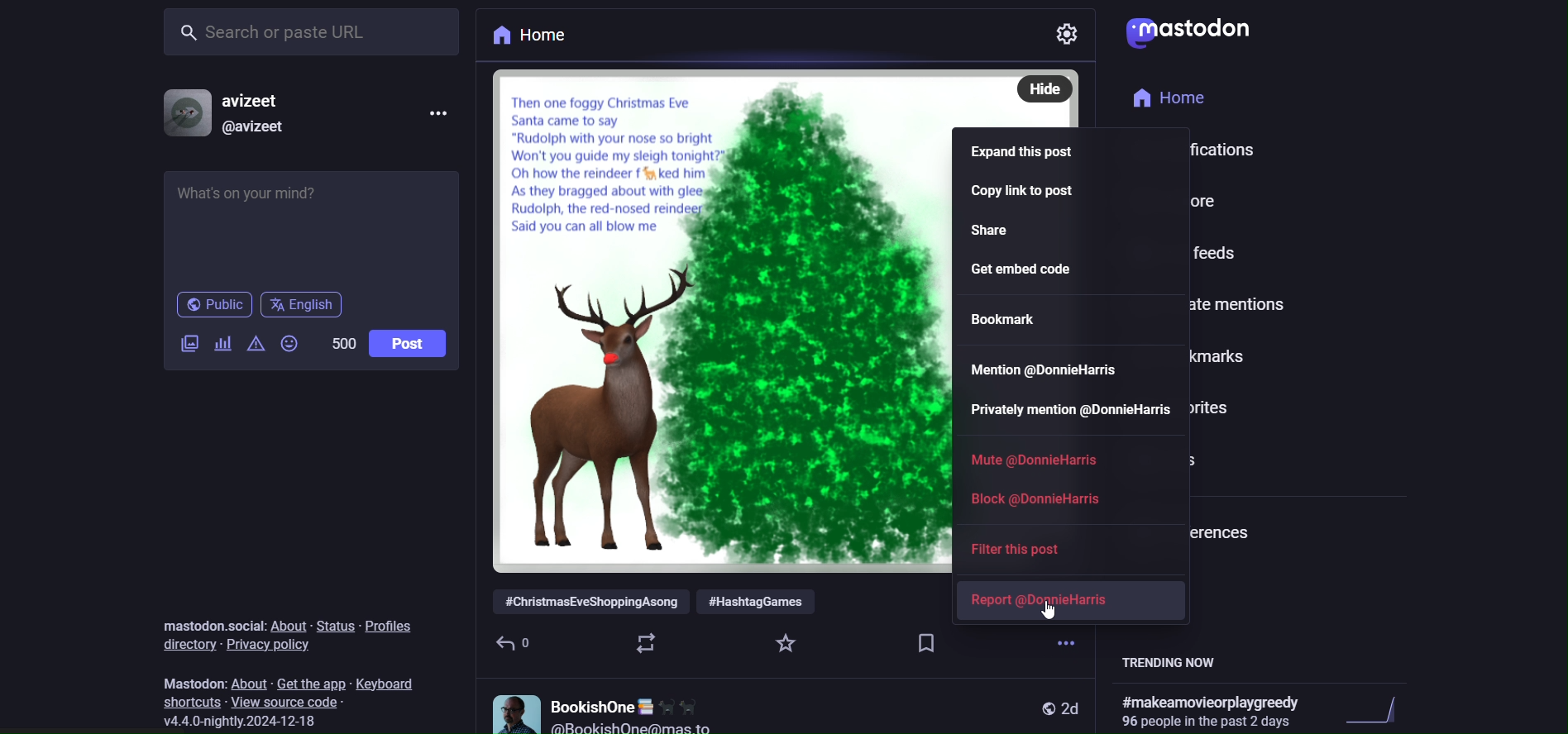 The width and height of the screenshot is (1568, 734). Describe the element at coordinates (1215, 306) in the screenshot. I see `private mention` at that location.